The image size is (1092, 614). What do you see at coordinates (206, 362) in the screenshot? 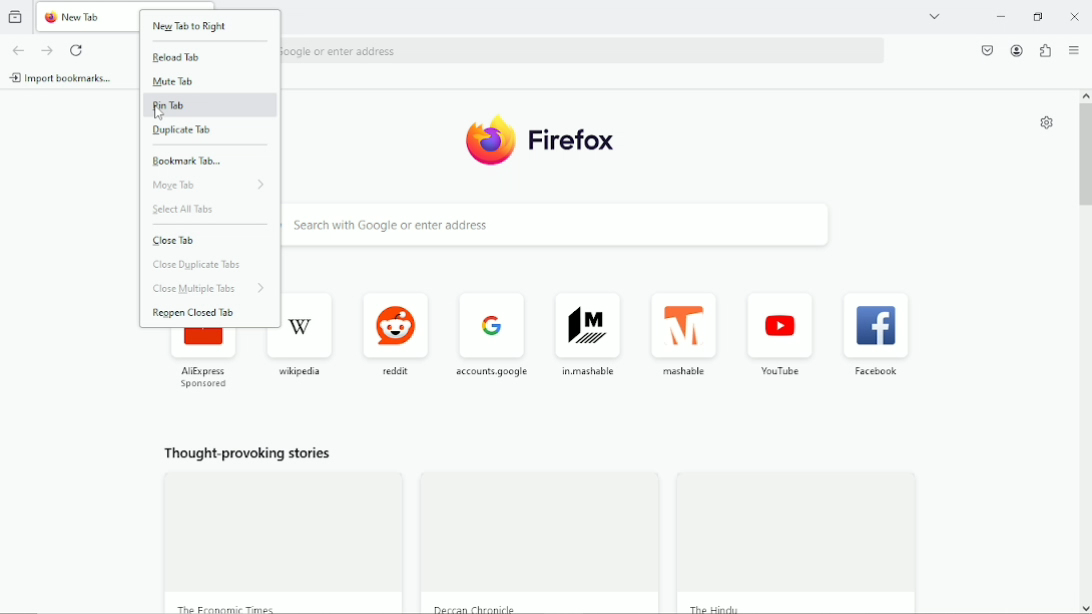
I see `AliExpress` at bounding box center [206, 362].